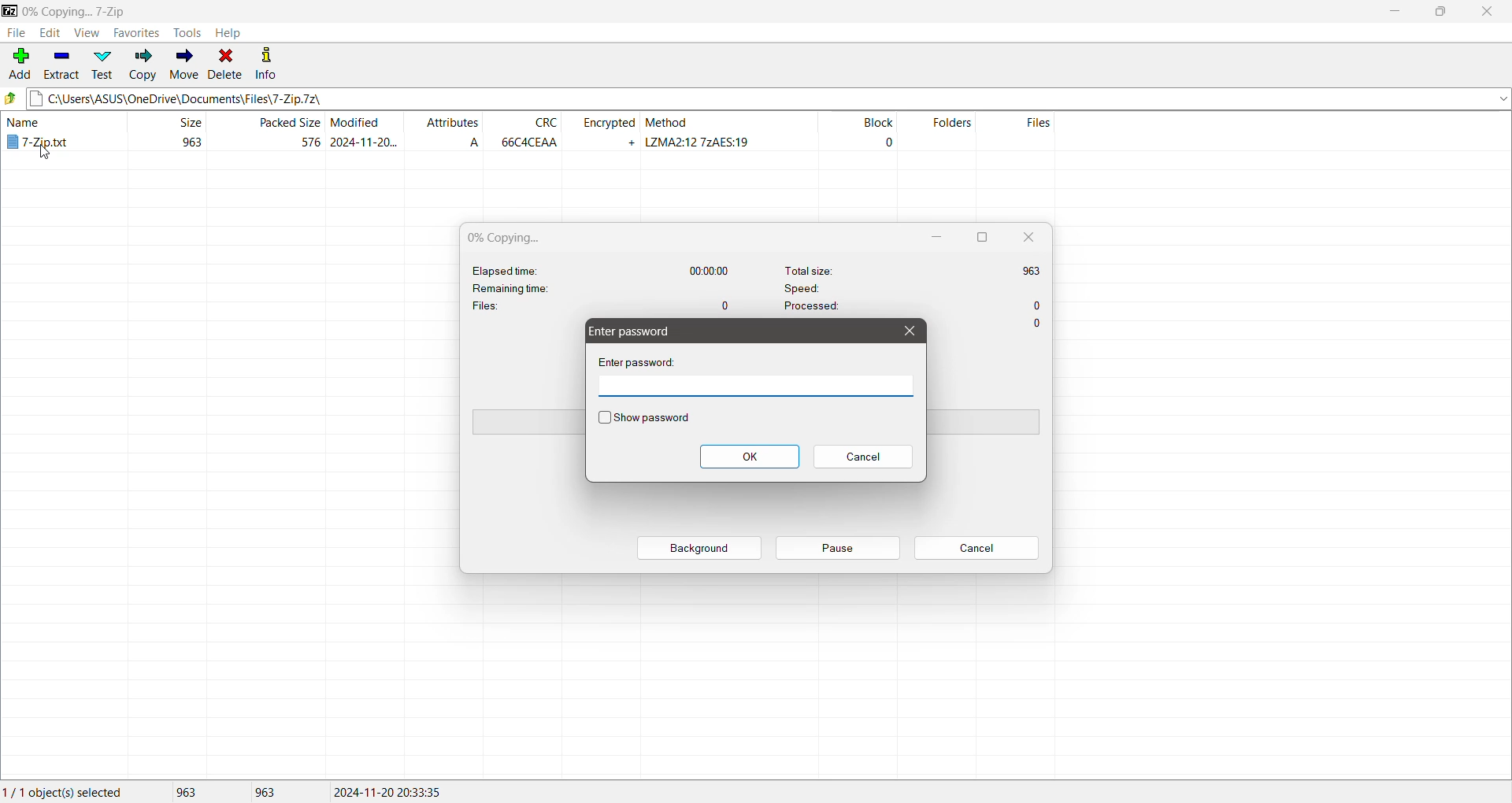  What do you see at coordinates (938, 237) in the screenshot?
I see `Minimize` at bounding box center [938, 237].